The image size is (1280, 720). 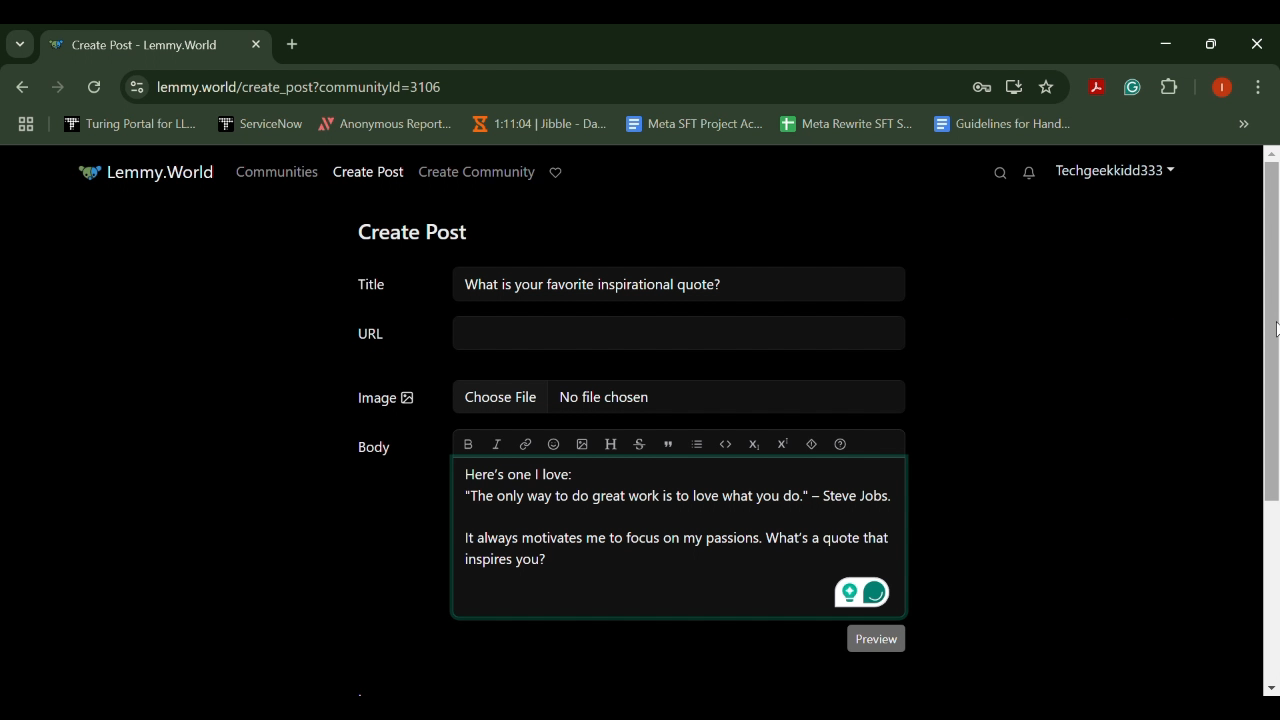 I want to click on Site Password Data Saved, so click(x=982, y=88).